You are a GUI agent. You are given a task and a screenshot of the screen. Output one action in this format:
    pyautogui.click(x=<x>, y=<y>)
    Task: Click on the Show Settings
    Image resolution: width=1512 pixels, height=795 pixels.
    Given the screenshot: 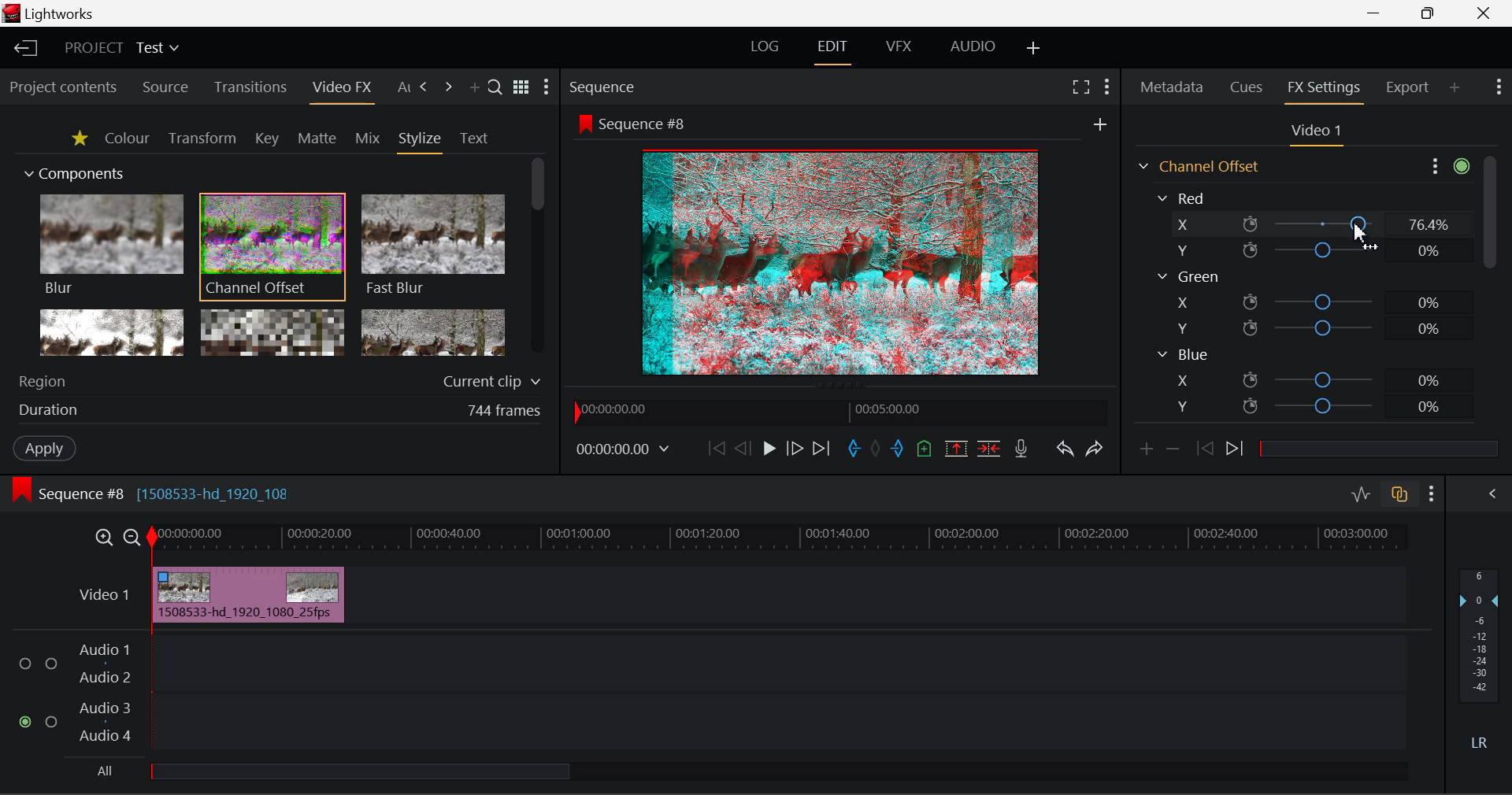 What is the action you would take?
    pyautogui.click(x=1447, y=167)
    